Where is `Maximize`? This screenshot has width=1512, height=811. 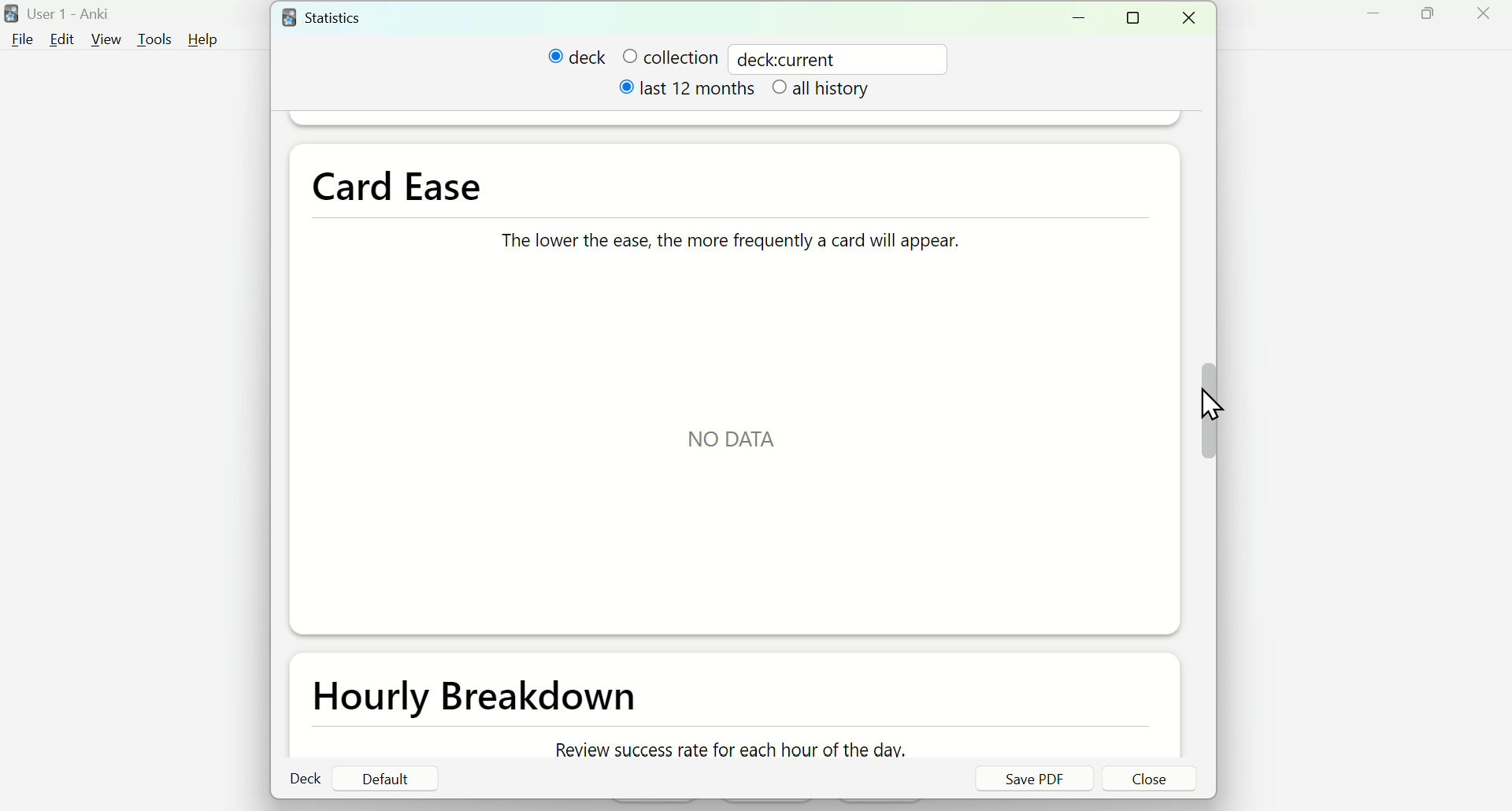
Maximize is located at coordinates (1437, 20).